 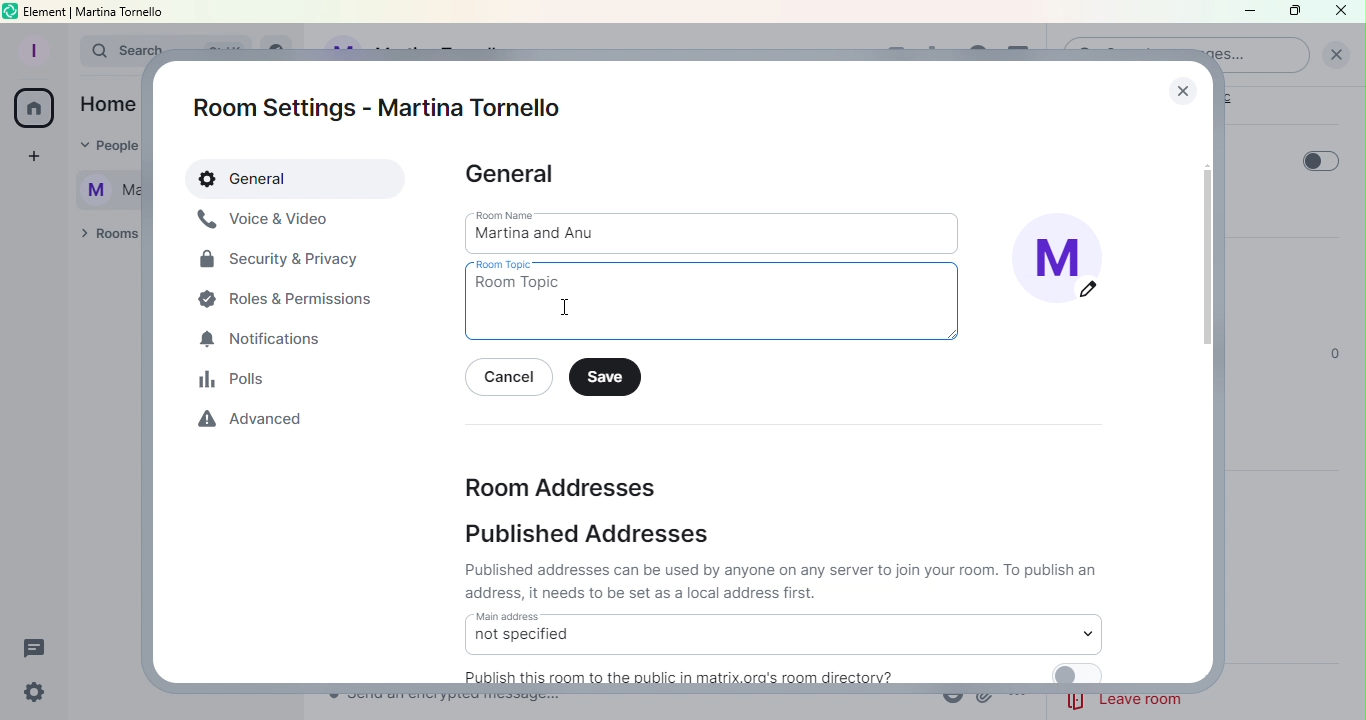 What do you see at coordinates (1341, 11) in the screenshot?
I see `Close` at bounding box center [1341, 11].